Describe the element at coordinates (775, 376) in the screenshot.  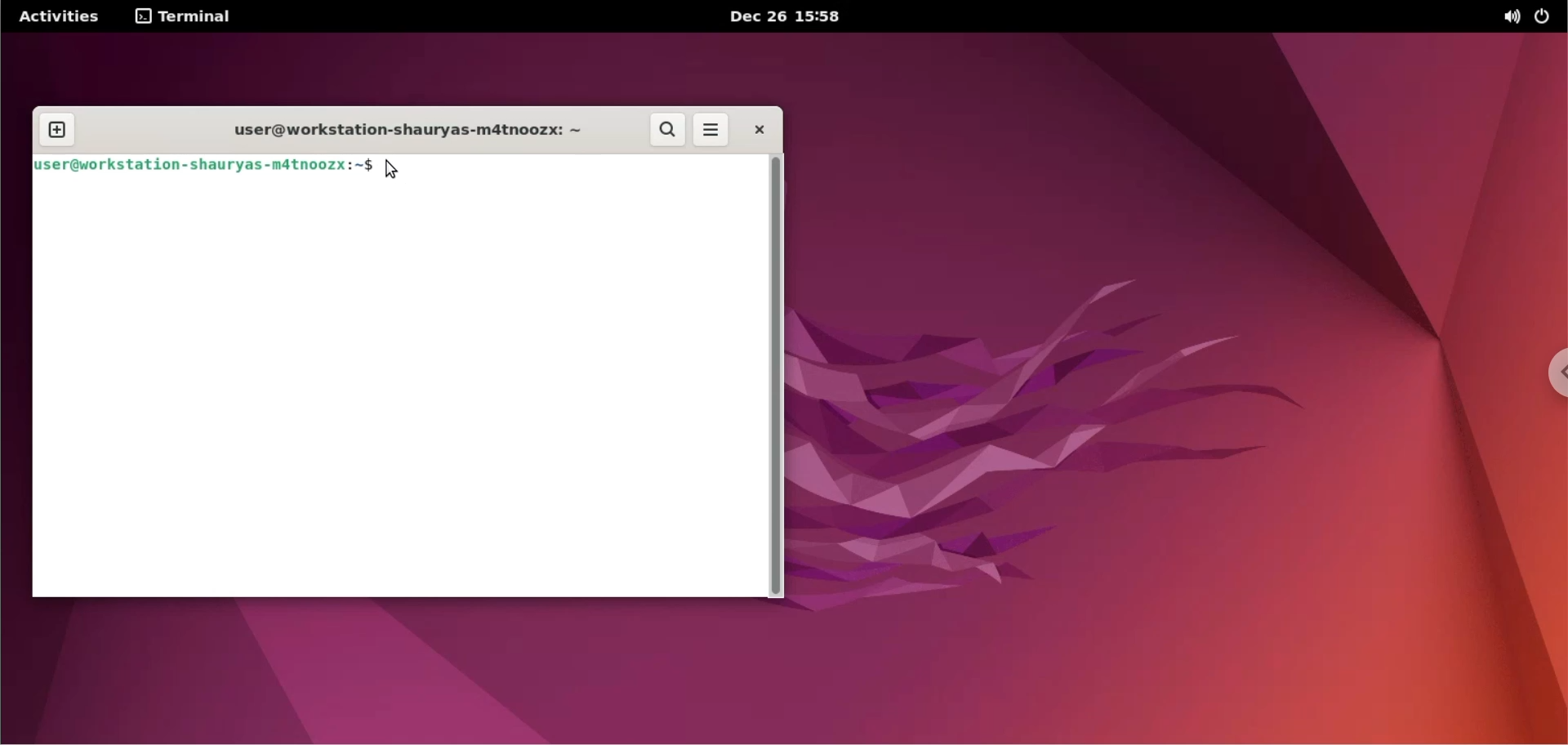
I see `scrollbar` at that location.